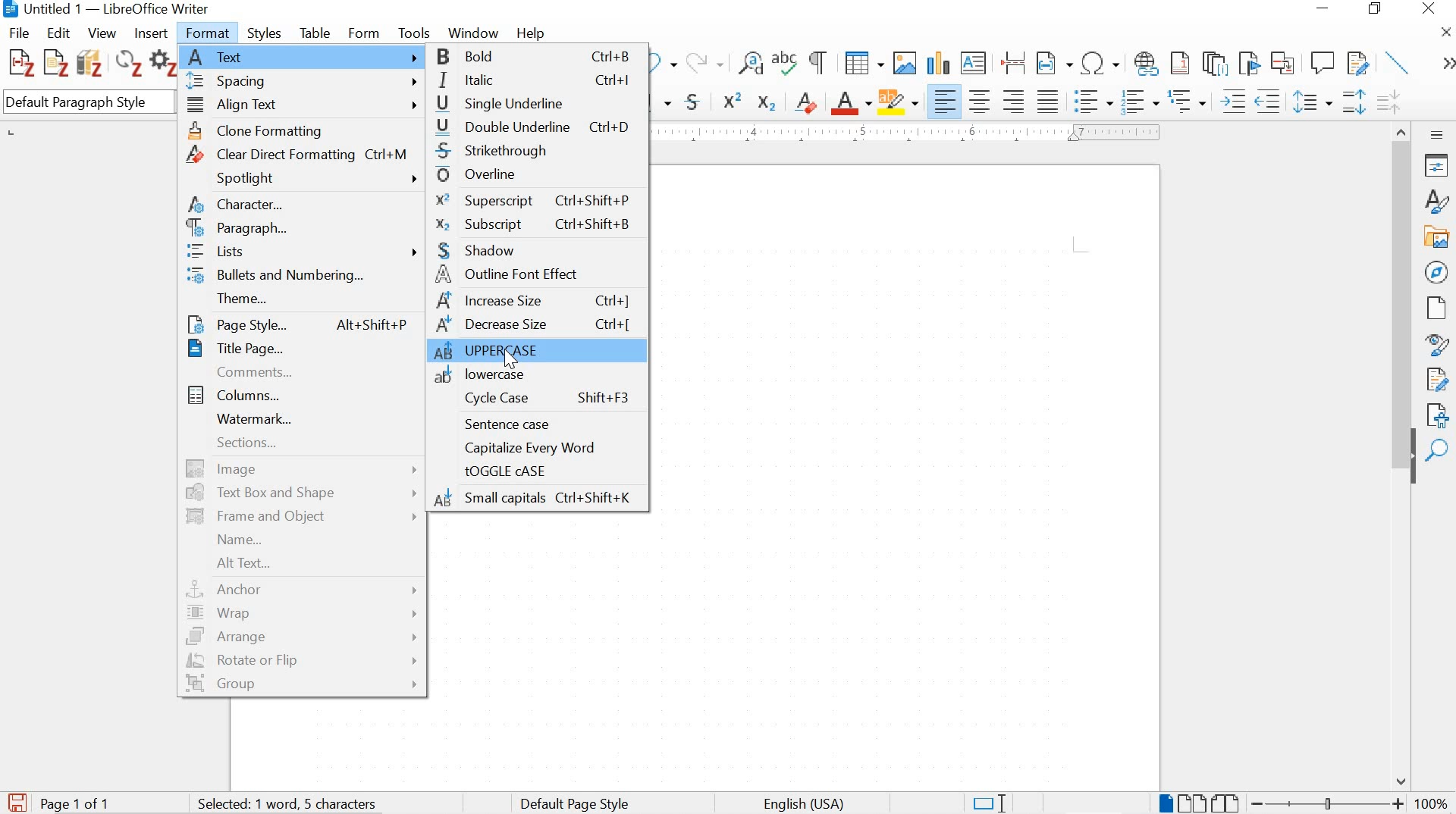 The height and width of the screenshot is (814, 1456). I want to click on title page, so click(296, 349).